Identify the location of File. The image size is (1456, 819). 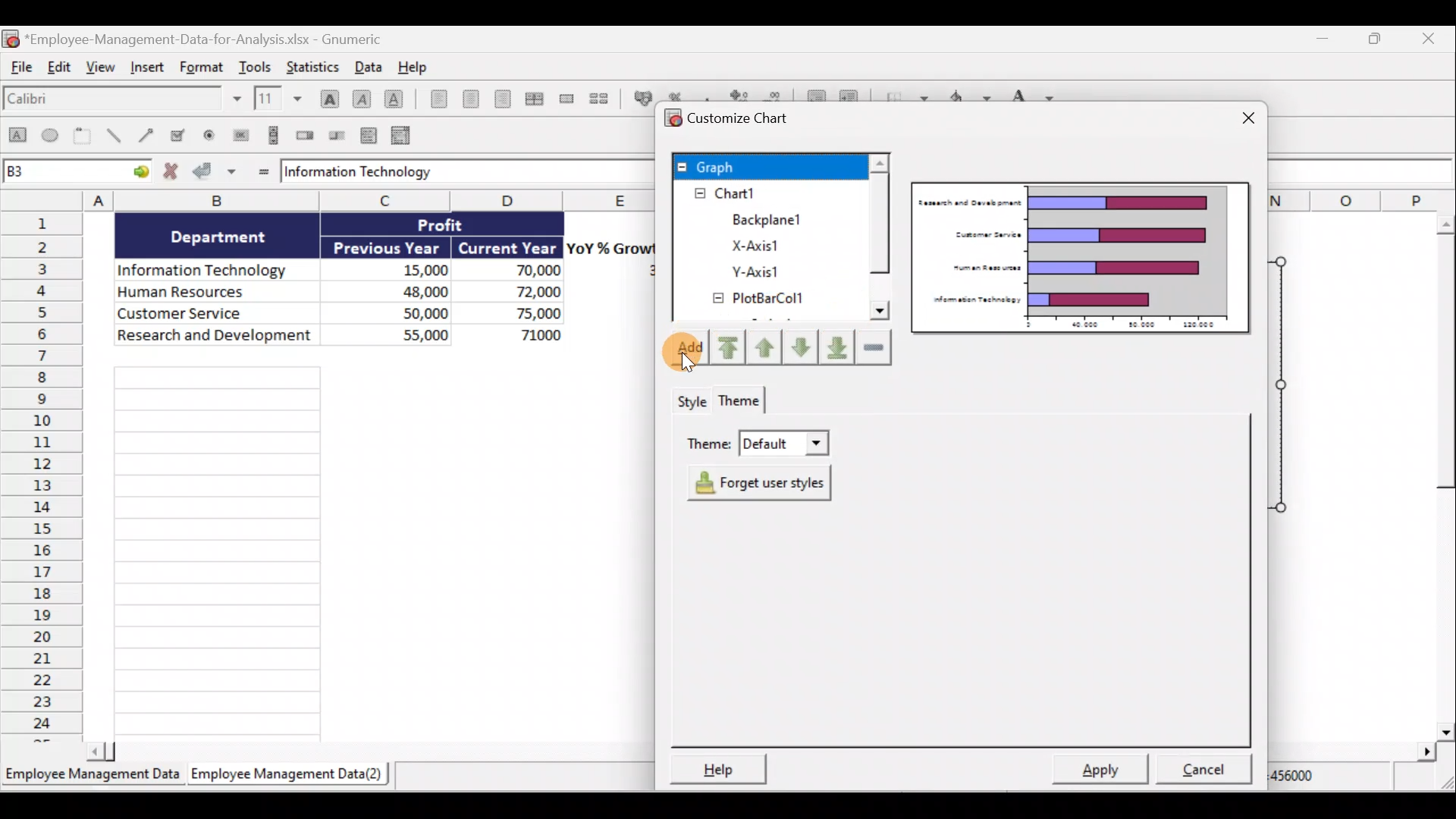
(17, 67).